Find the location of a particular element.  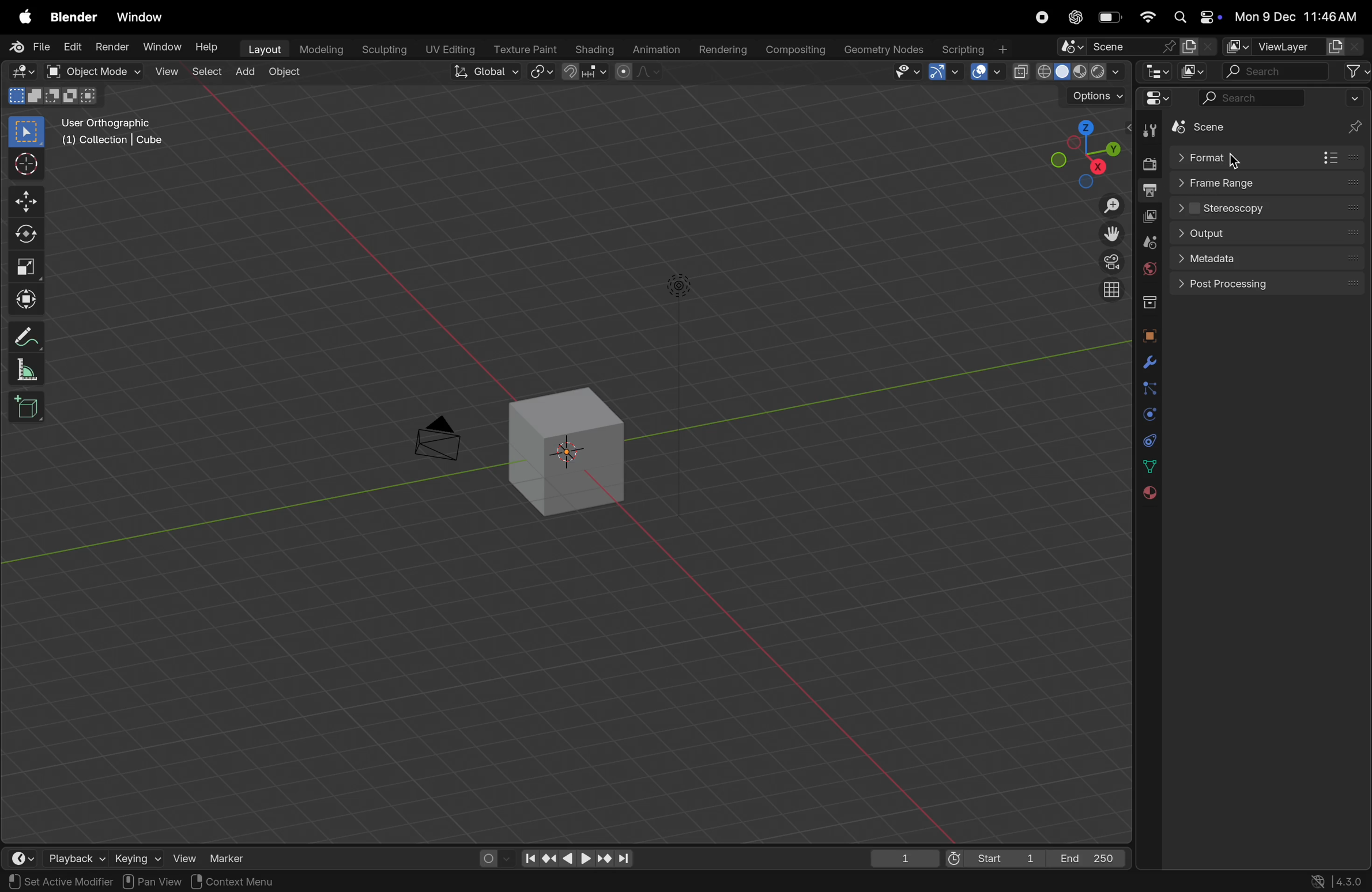

playback is located at coordinates (77, 856).